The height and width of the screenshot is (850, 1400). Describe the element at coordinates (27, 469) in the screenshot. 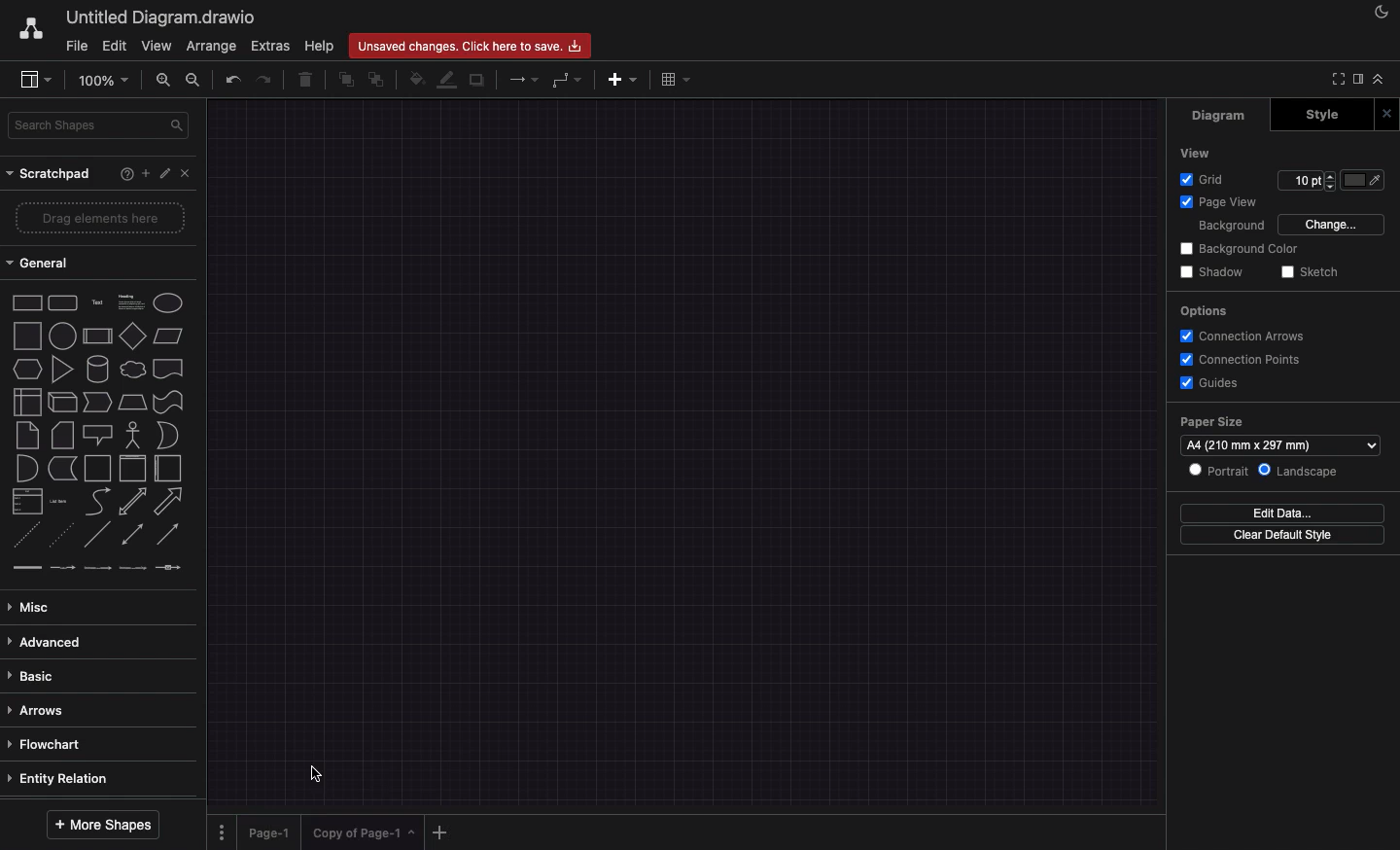

I see `and` at that location.